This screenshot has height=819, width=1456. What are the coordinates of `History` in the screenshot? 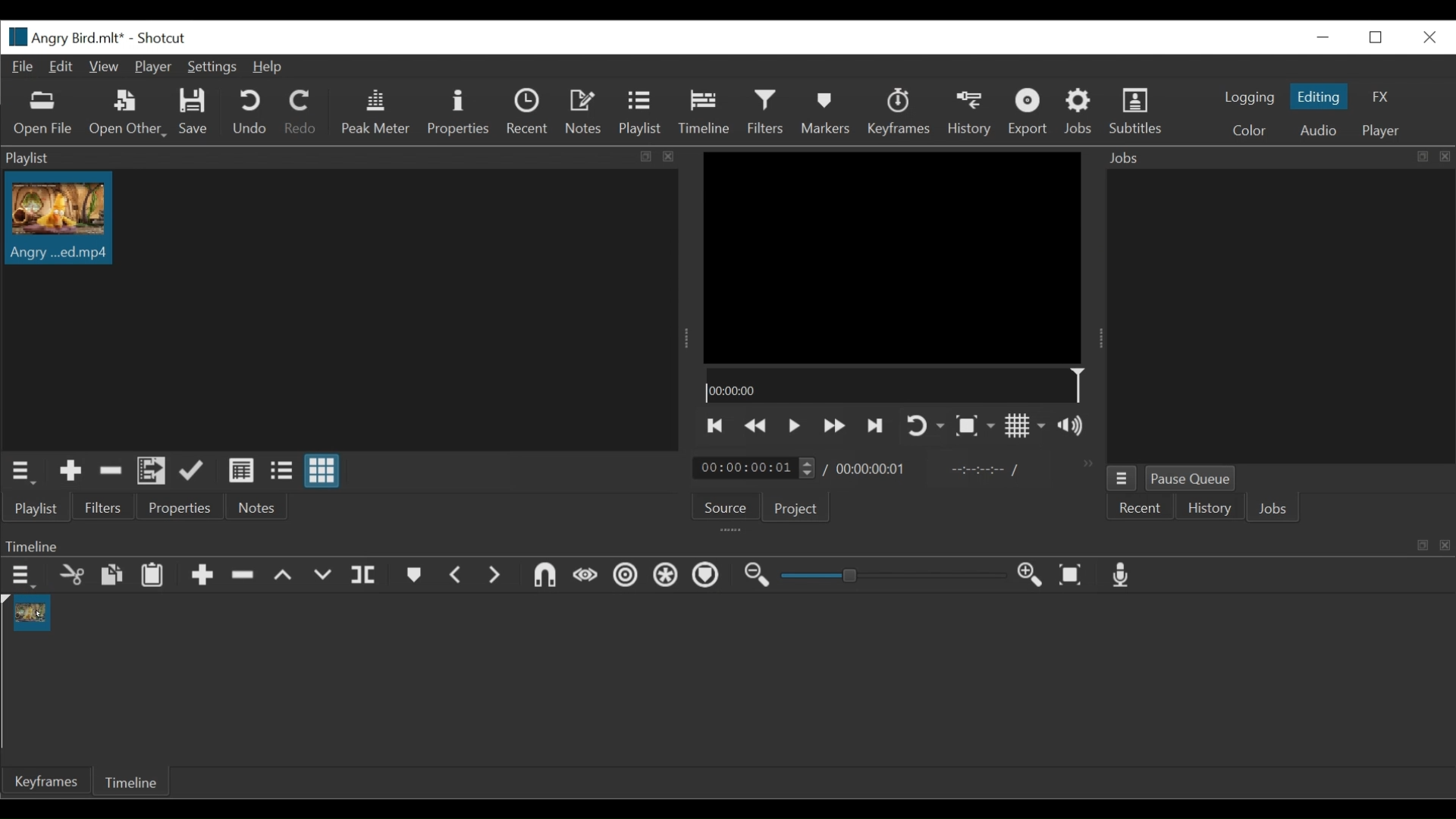 It's located at (1210, 510).